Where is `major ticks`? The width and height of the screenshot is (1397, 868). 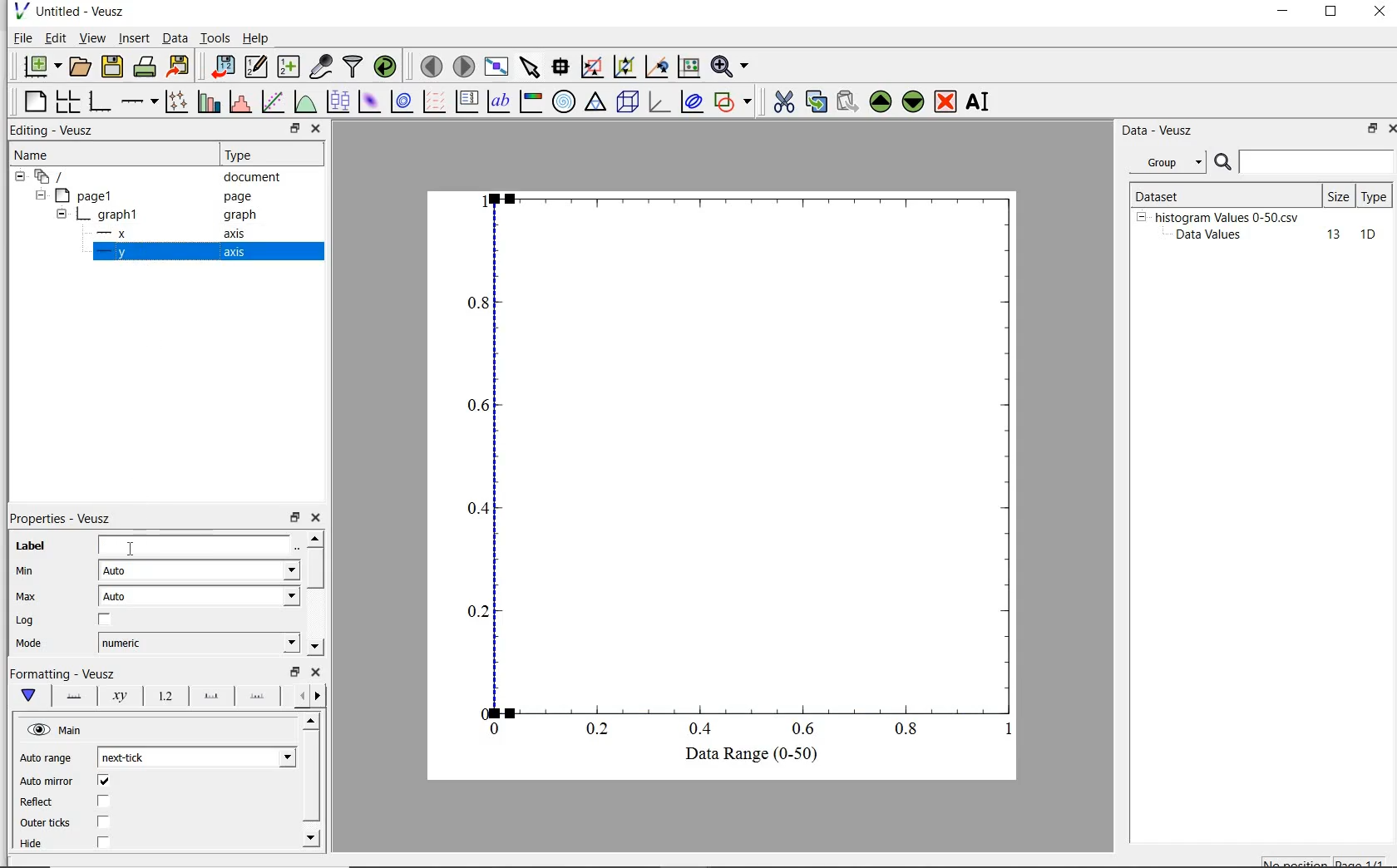 major ticks is located at coordinates (210, 697).